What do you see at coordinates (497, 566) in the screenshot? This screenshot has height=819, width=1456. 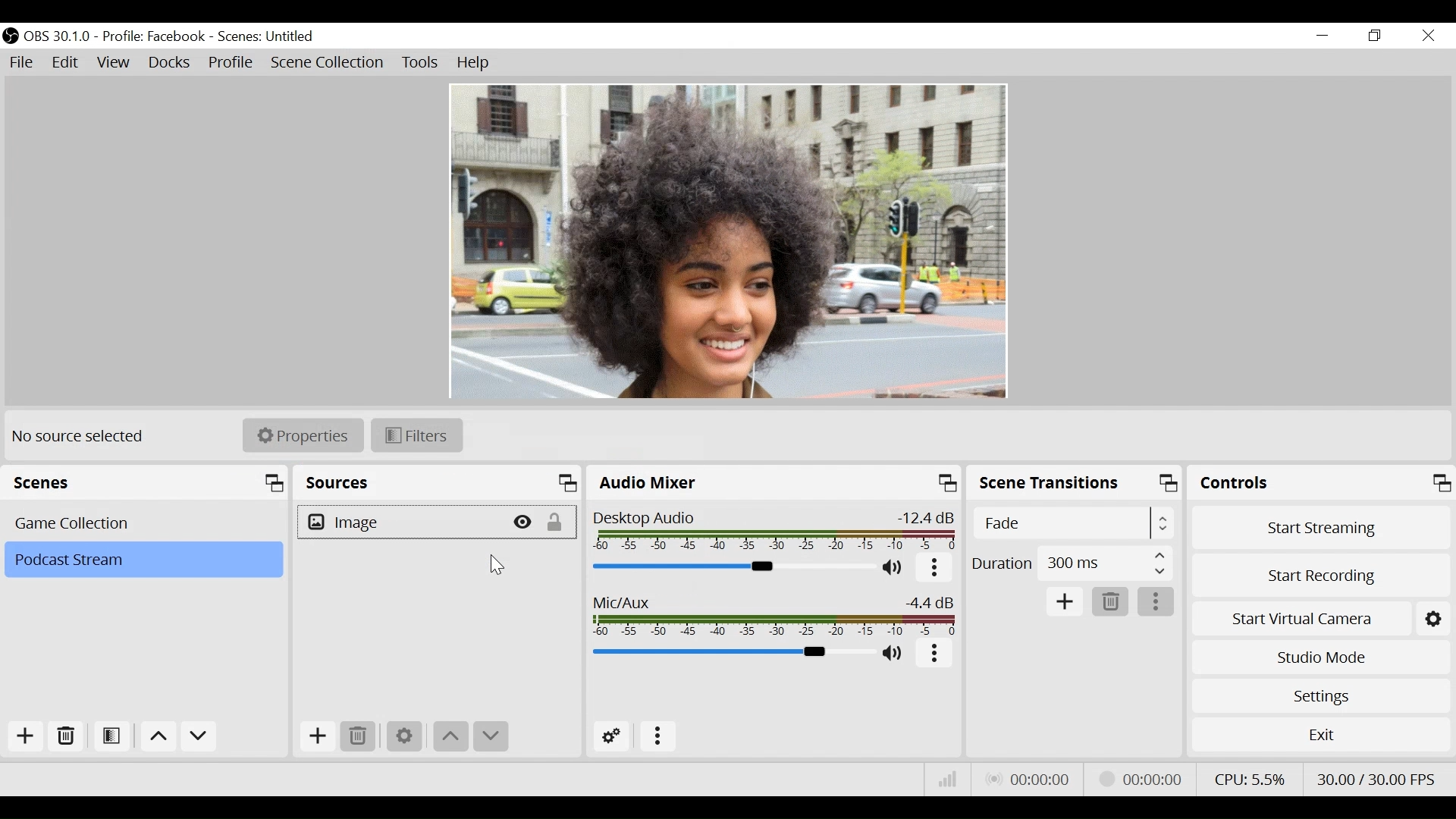 I see `Cursor` at bounding box center [497, 566].